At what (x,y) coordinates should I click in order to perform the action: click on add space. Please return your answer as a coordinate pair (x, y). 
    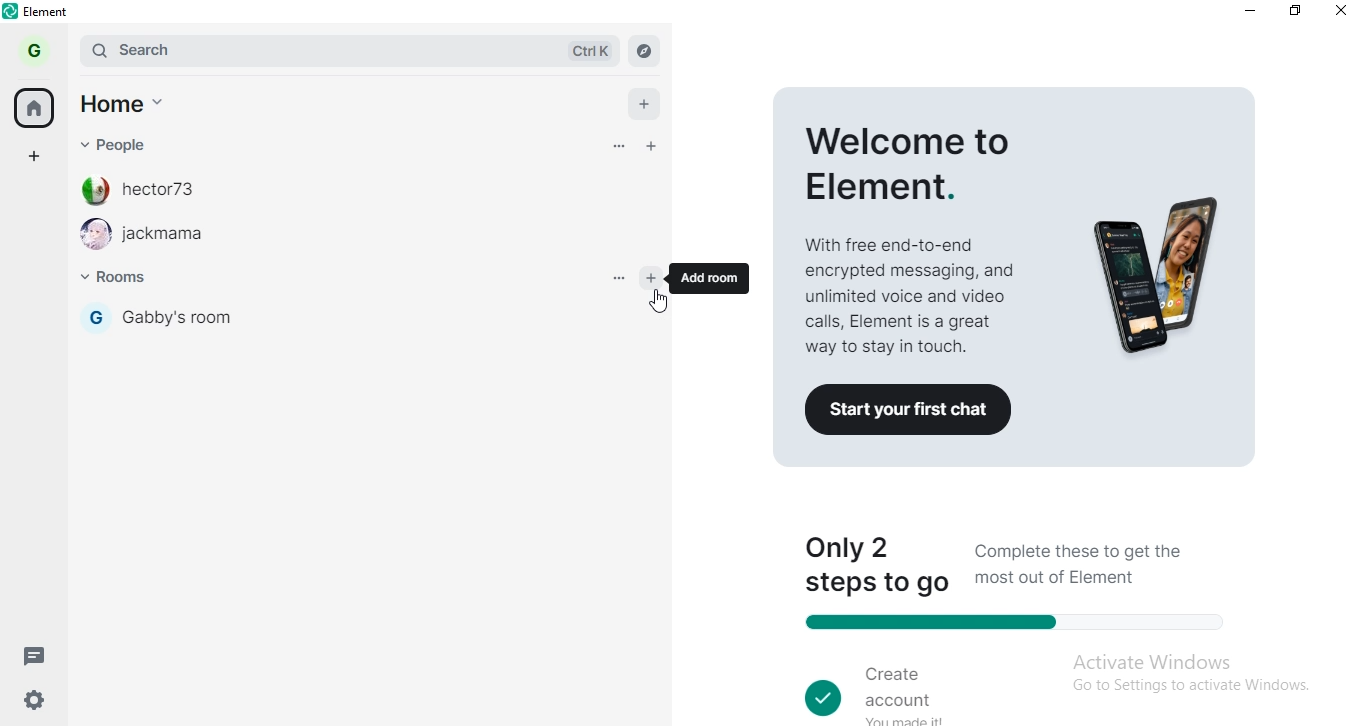
    Looking at the image, I should click on (39, 160).